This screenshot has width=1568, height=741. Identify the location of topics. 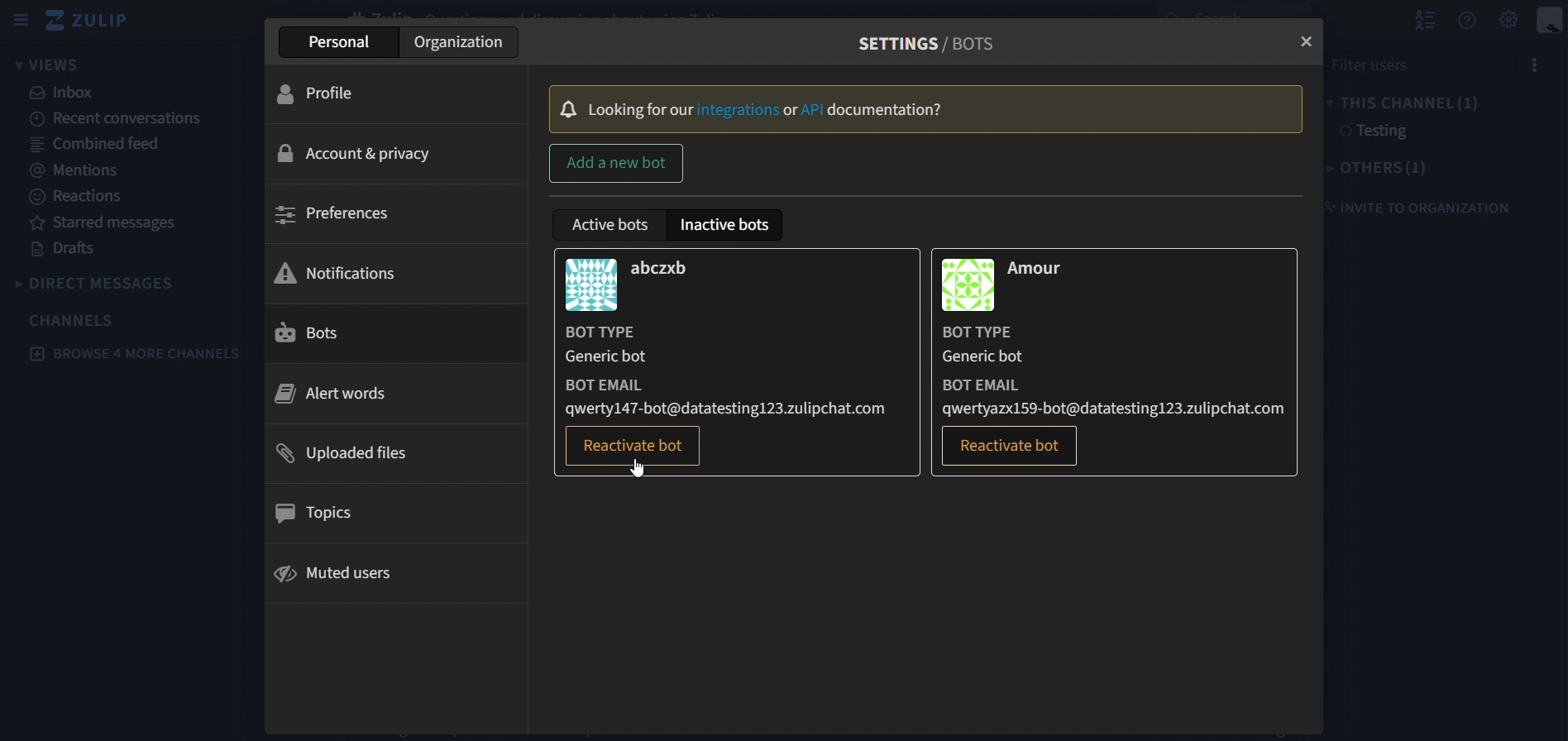
(323, 514).